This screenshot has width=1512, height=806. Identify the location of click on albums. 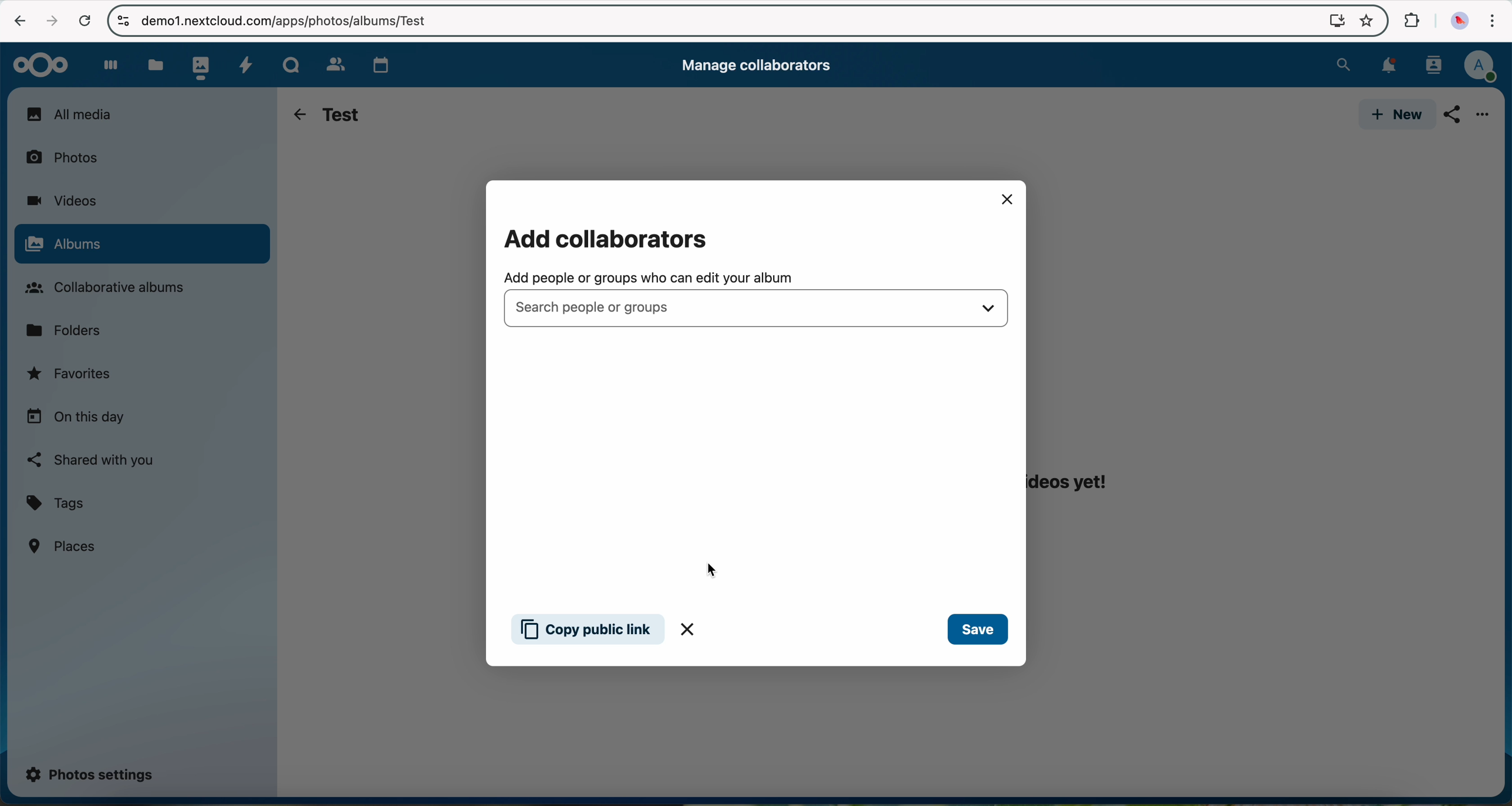
(141, 245).